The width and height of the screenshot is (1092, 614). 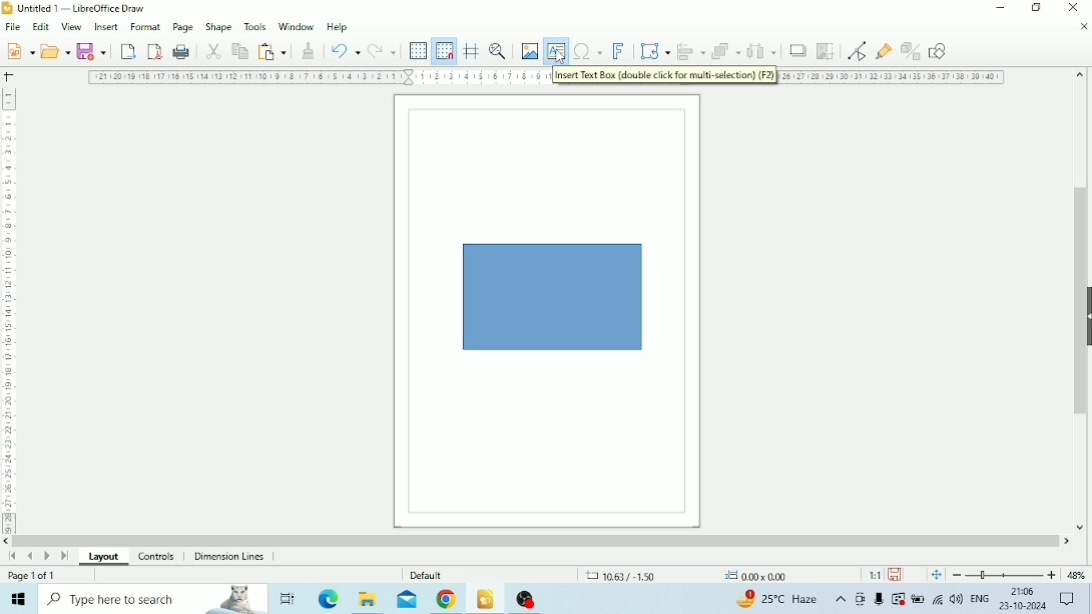 I want to click on Align objects, so click(x=690, y=51).